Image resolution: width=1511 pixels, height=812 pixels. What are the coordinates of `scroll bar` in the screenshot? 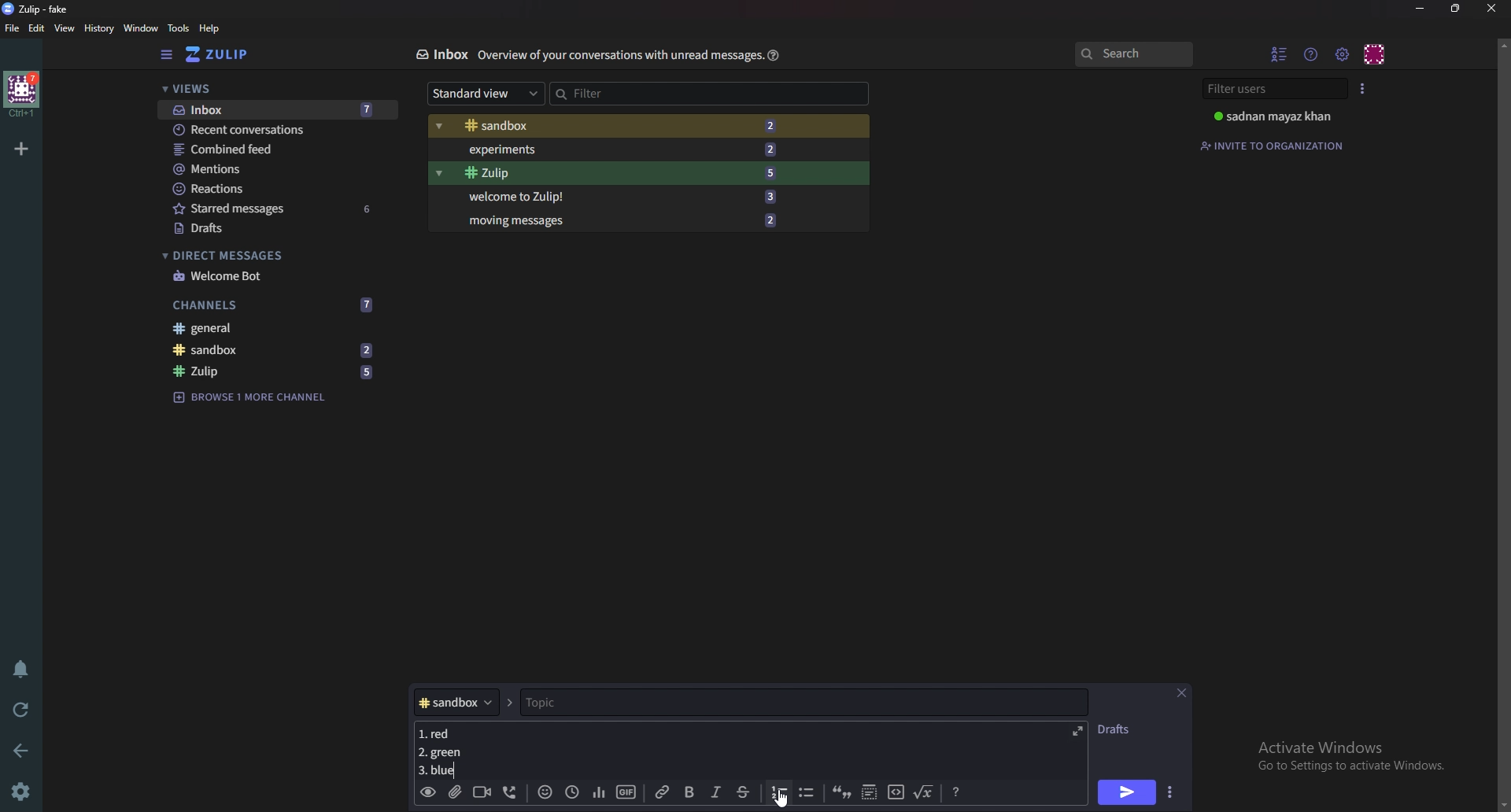 It's located at (1503, 423).